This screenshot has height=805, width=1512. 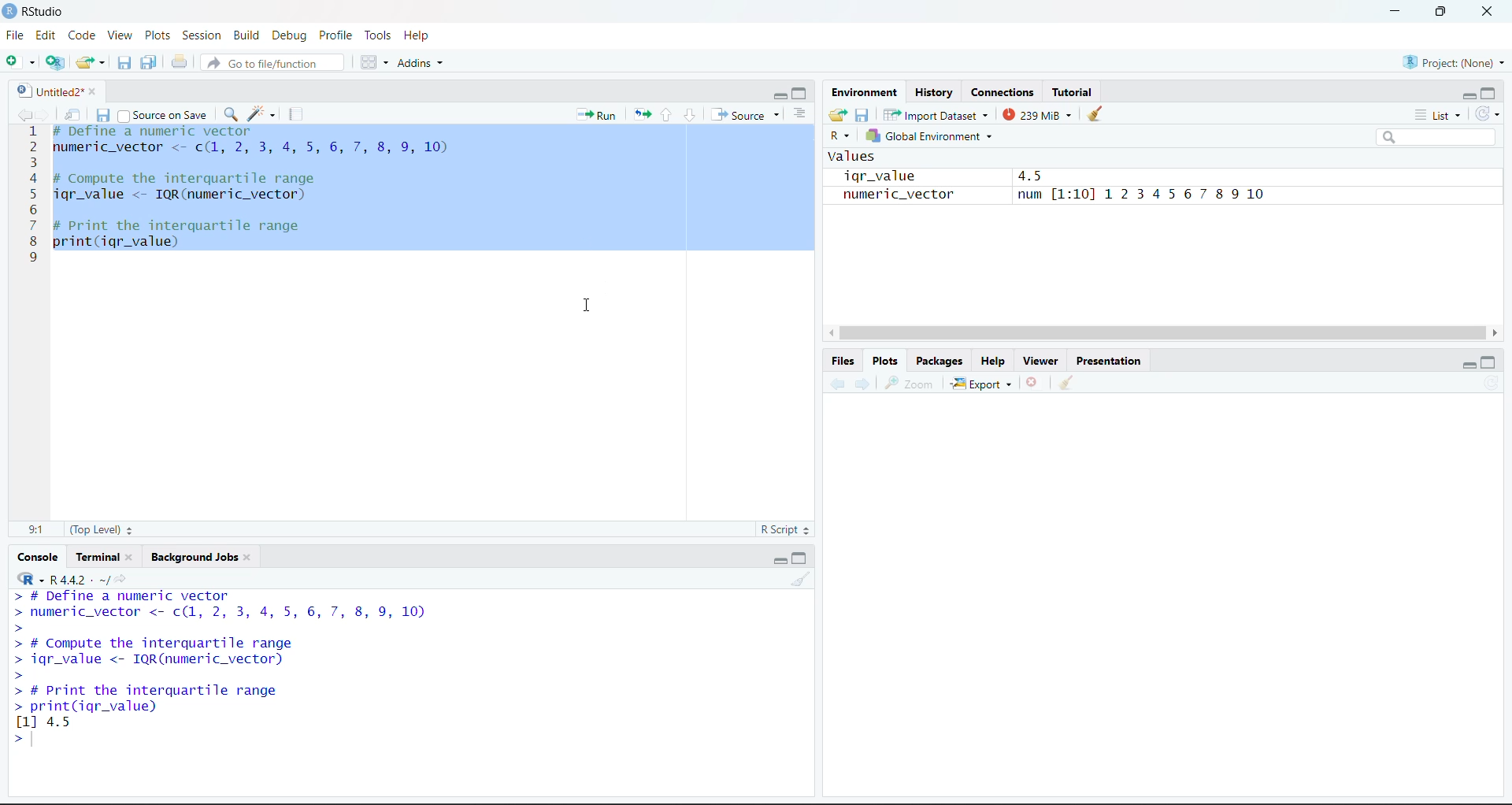 What do you see at coordinates (423, 62) in the screenshot?
I see `Addins` at bounding box center [423, 62].